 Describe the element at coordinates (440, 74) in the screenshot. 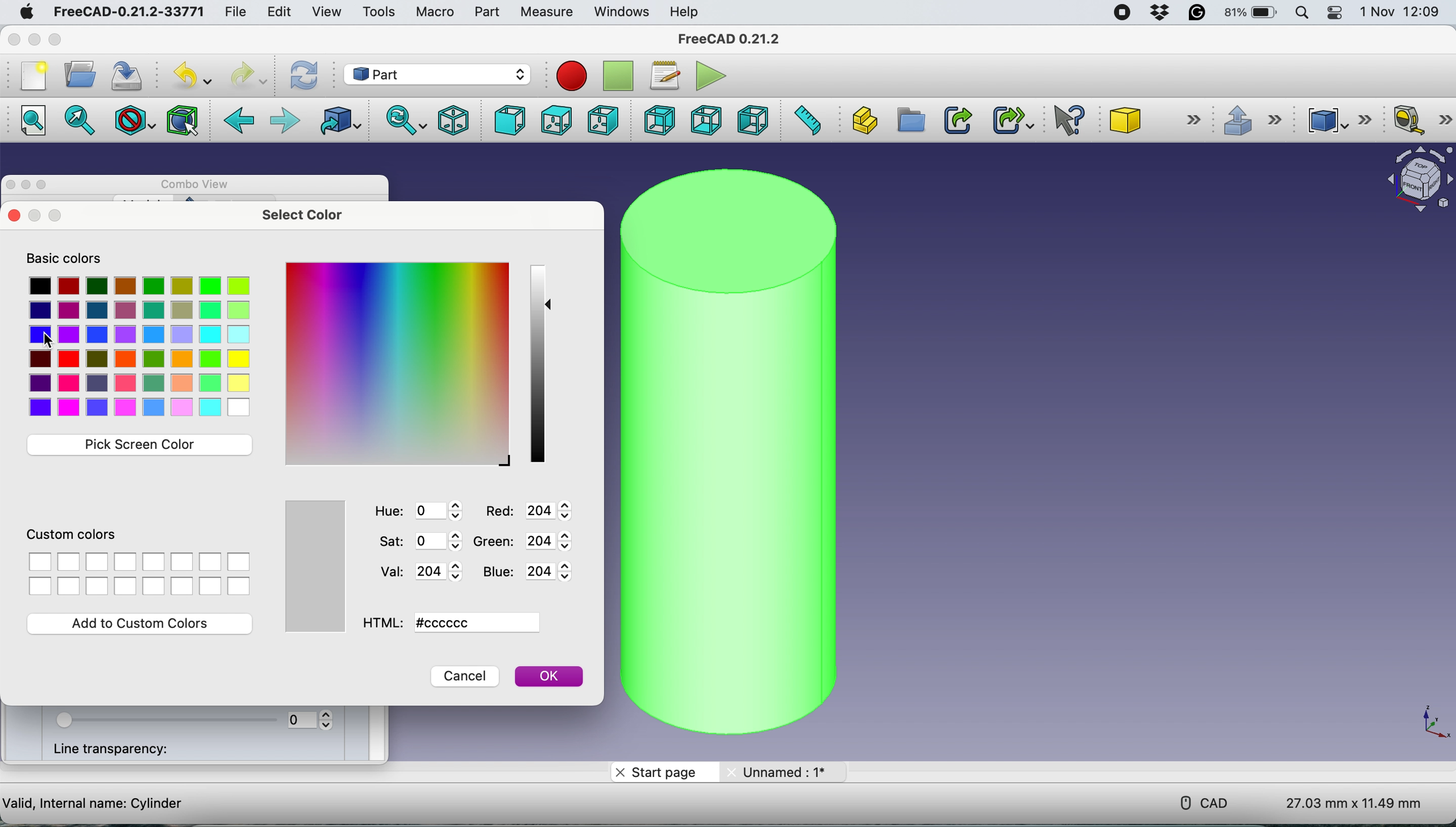

I see `workbench` at that location.